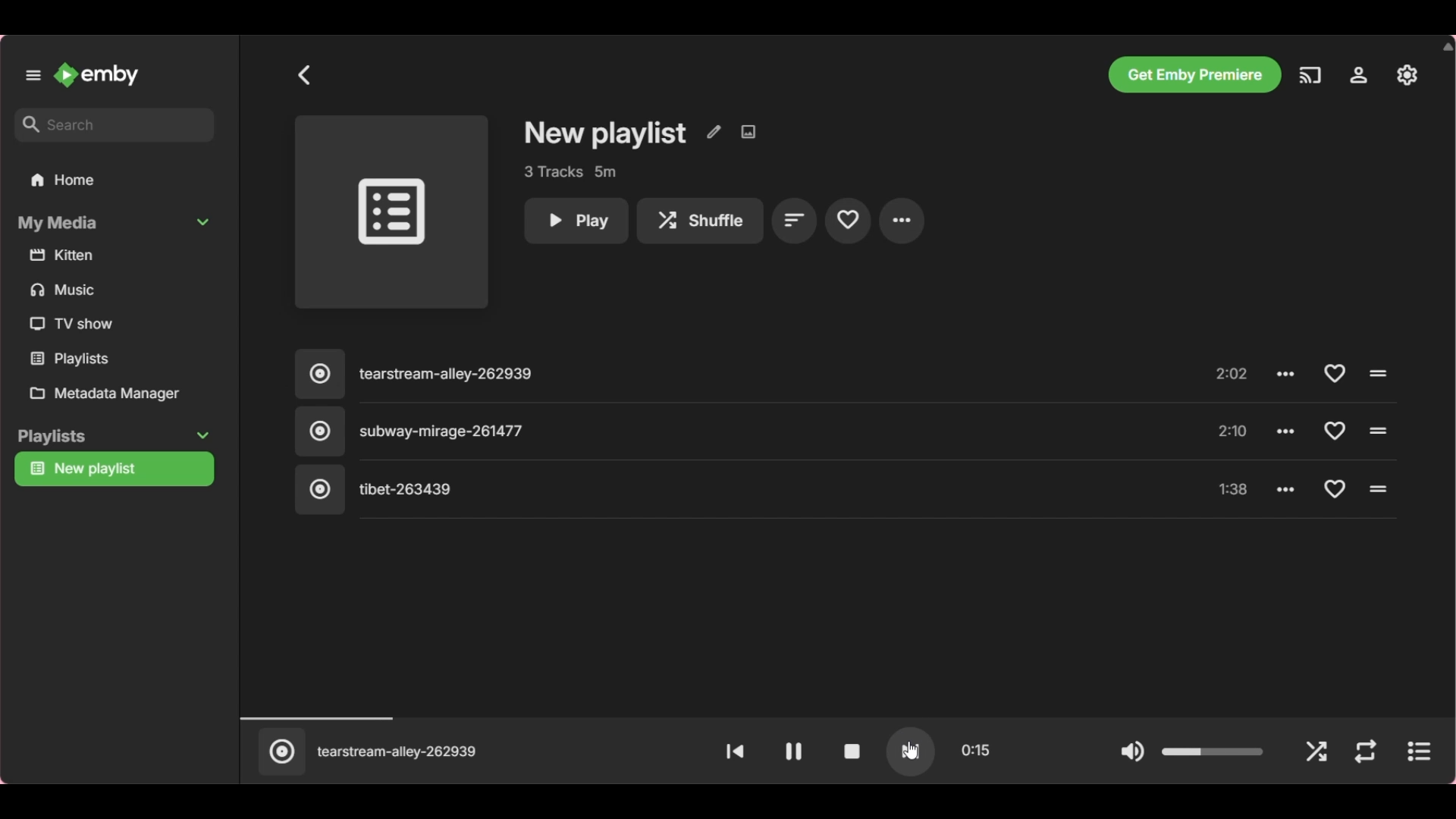 Image resolution: width=1456 pixels, height=819 pixels. What do you see at coordinates (428, 368) in the screenshot?
I see `tearstream alley 262939` at bounding box center [428, 368].